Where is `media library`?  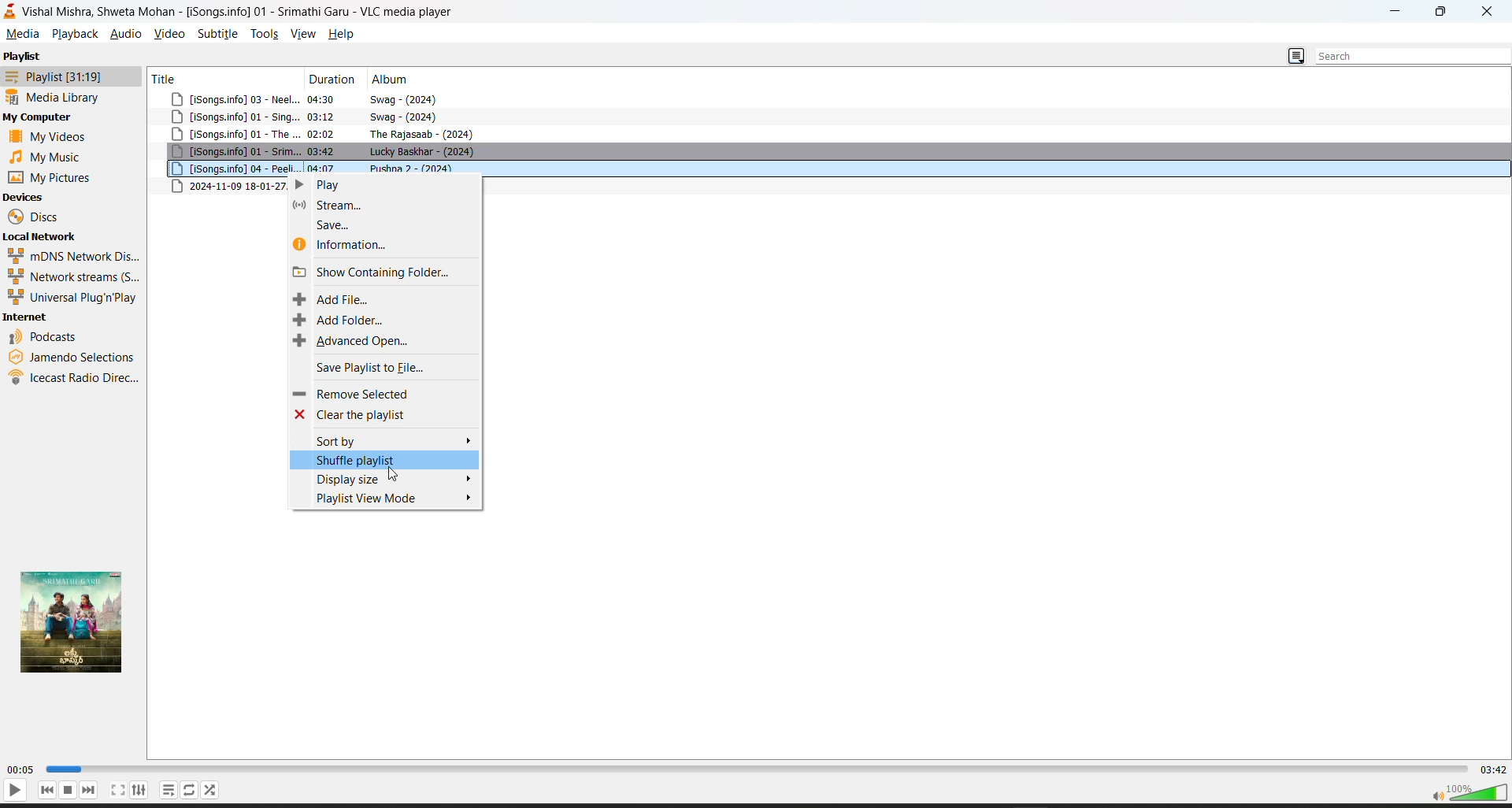
media library is located at coordinates (53, 96).